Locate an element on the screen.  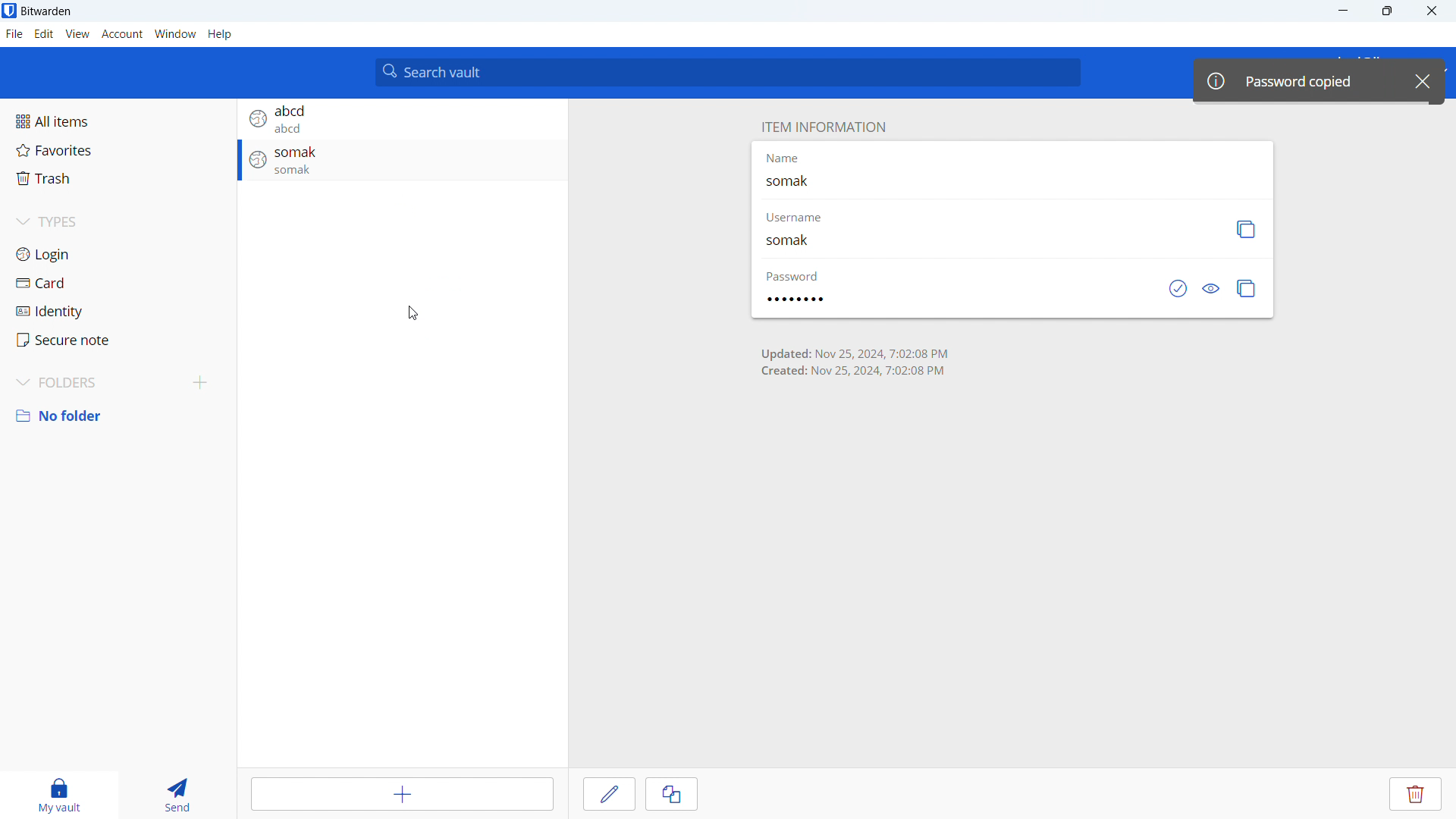
item information is located at coordinates (823, 128).